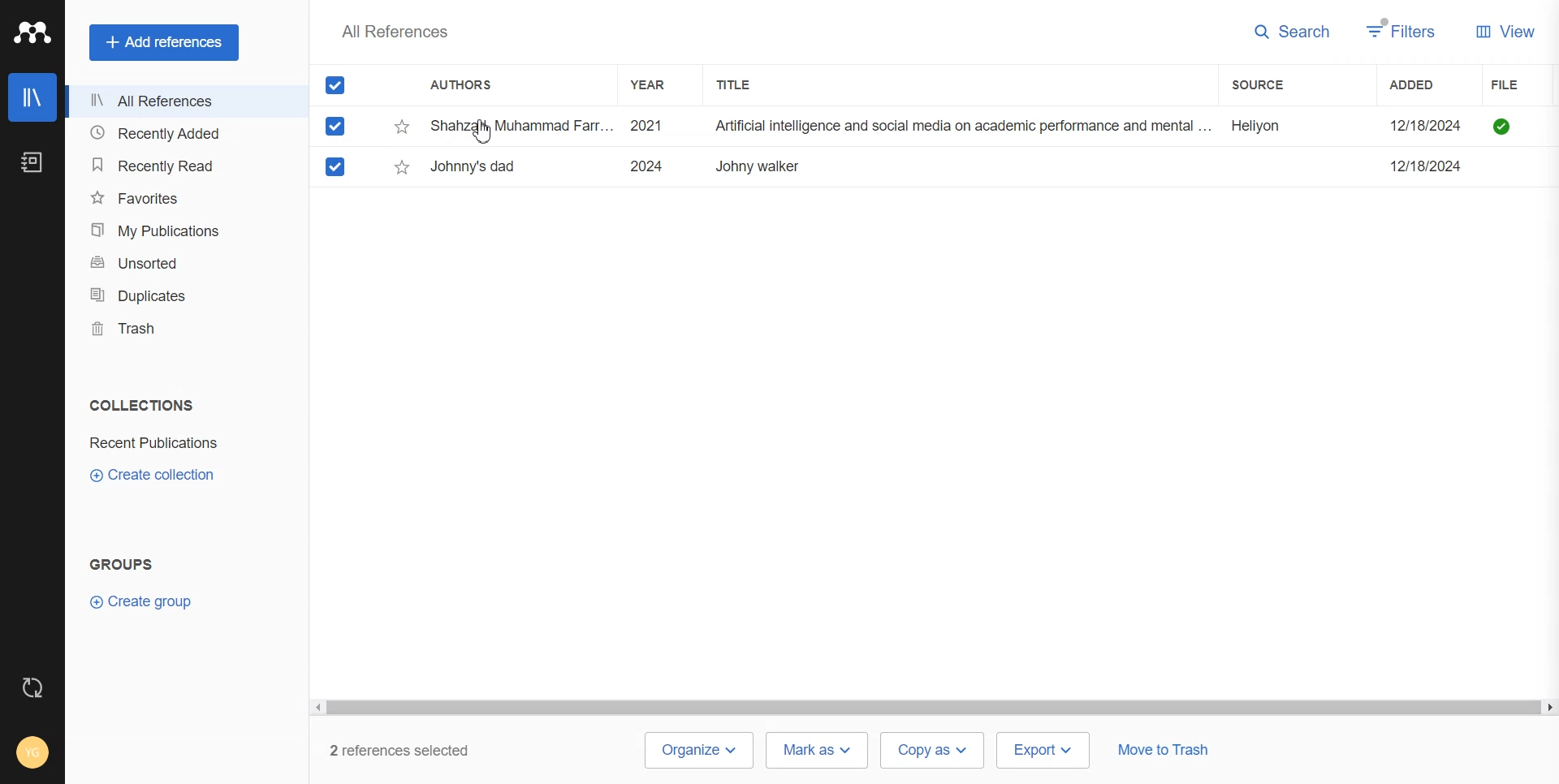  What do you see at coordinates (182, 230) in the screenshot?
I see `My Publication` at bounding box center [182, 230].